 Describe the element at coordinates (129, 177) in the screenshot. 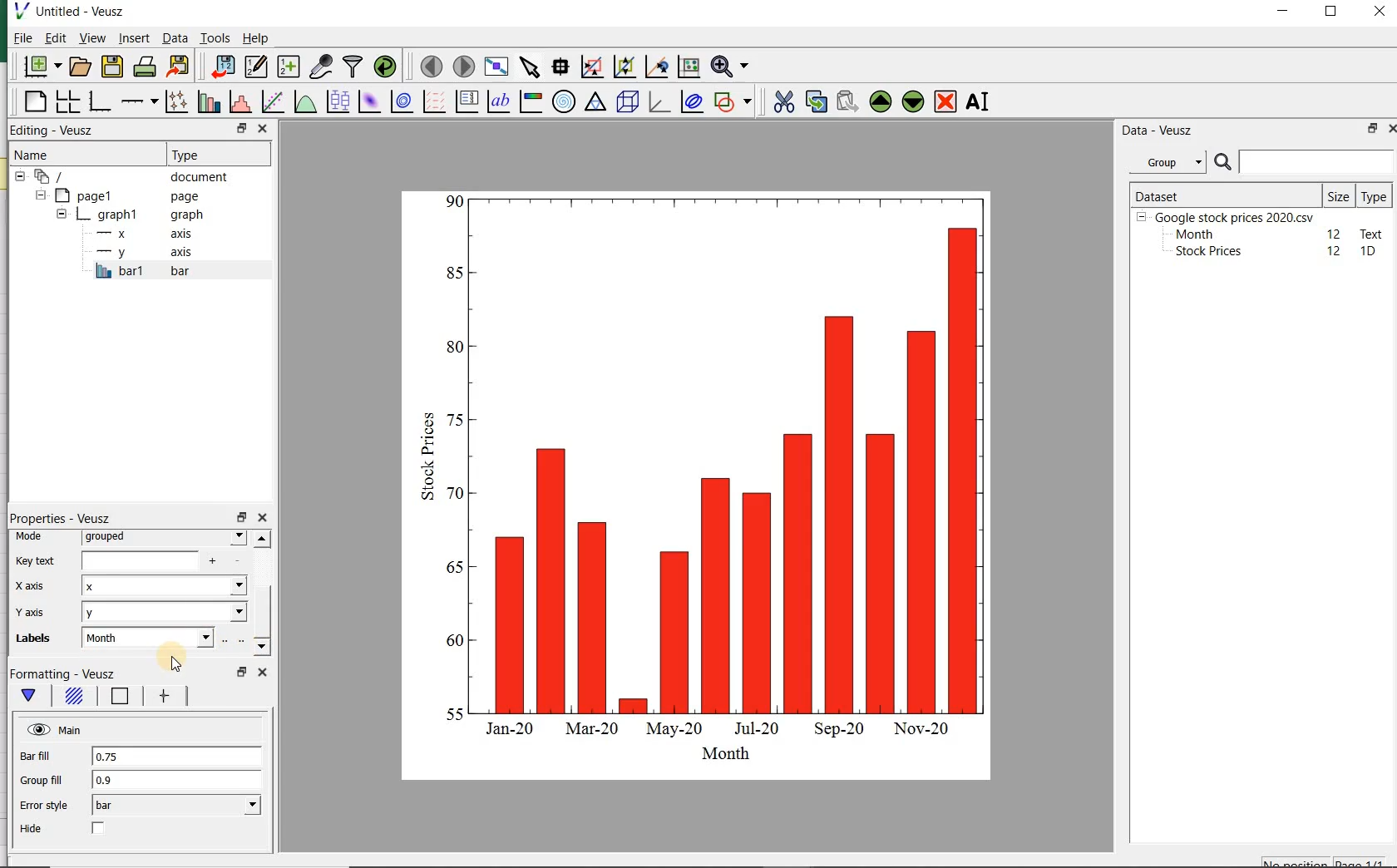

I see `document` at that location.